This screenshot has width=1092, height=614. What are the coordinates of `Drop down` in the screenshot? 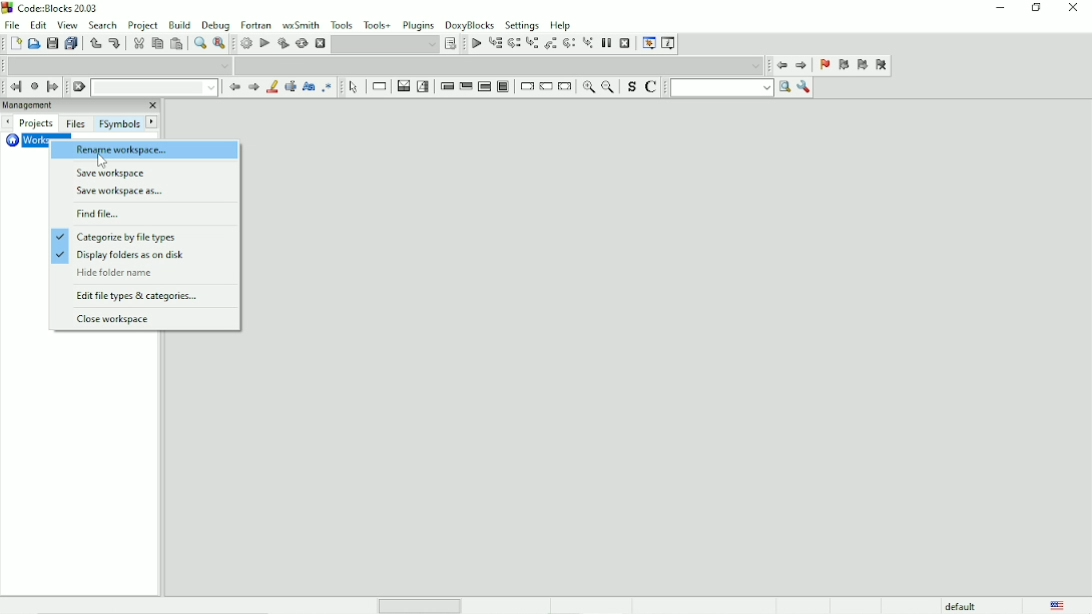 It's located at (157, 88).